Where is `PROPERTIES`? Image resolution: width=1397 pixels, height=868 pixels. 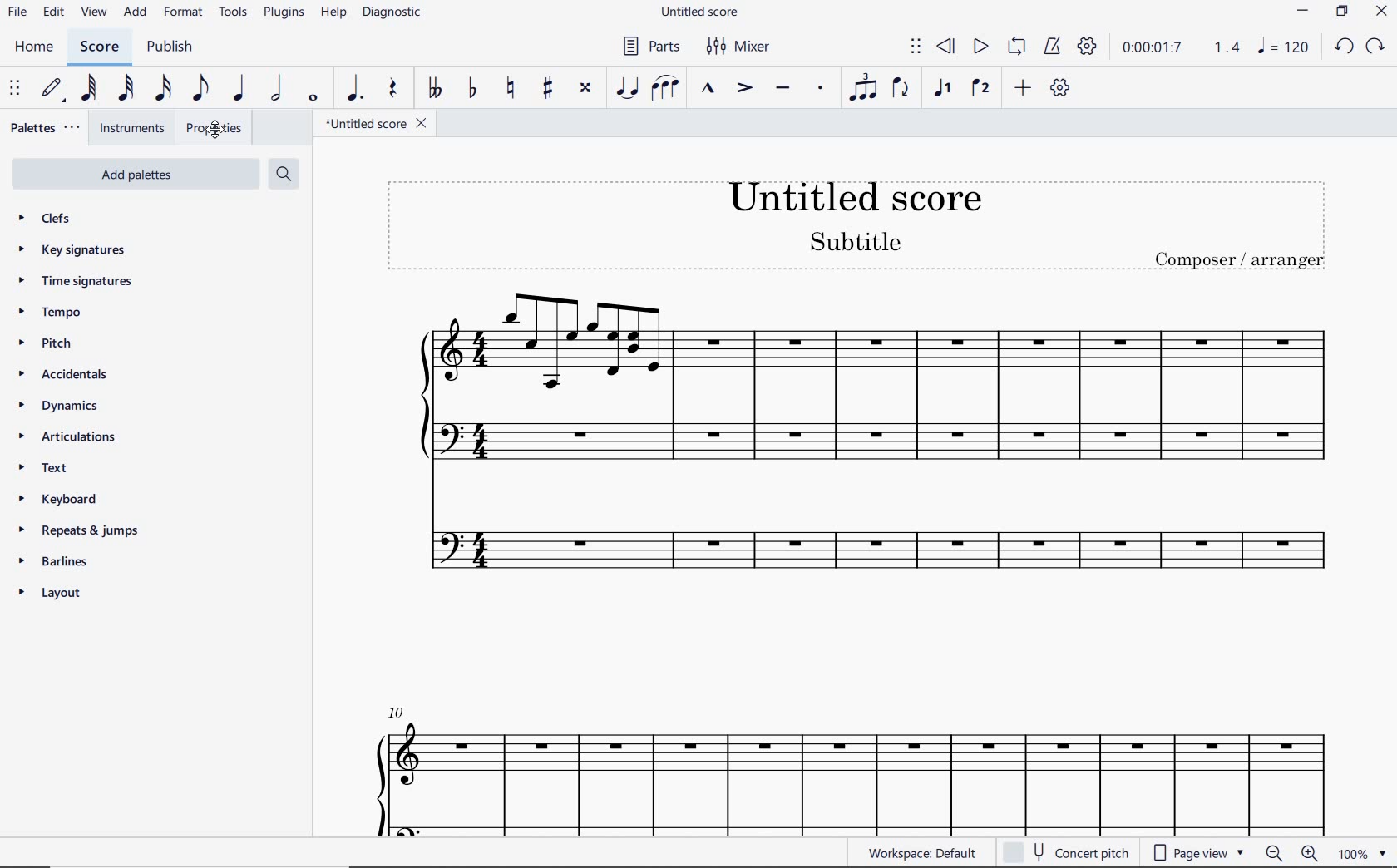 PROPERTIES is located at coordinates (214, 128).